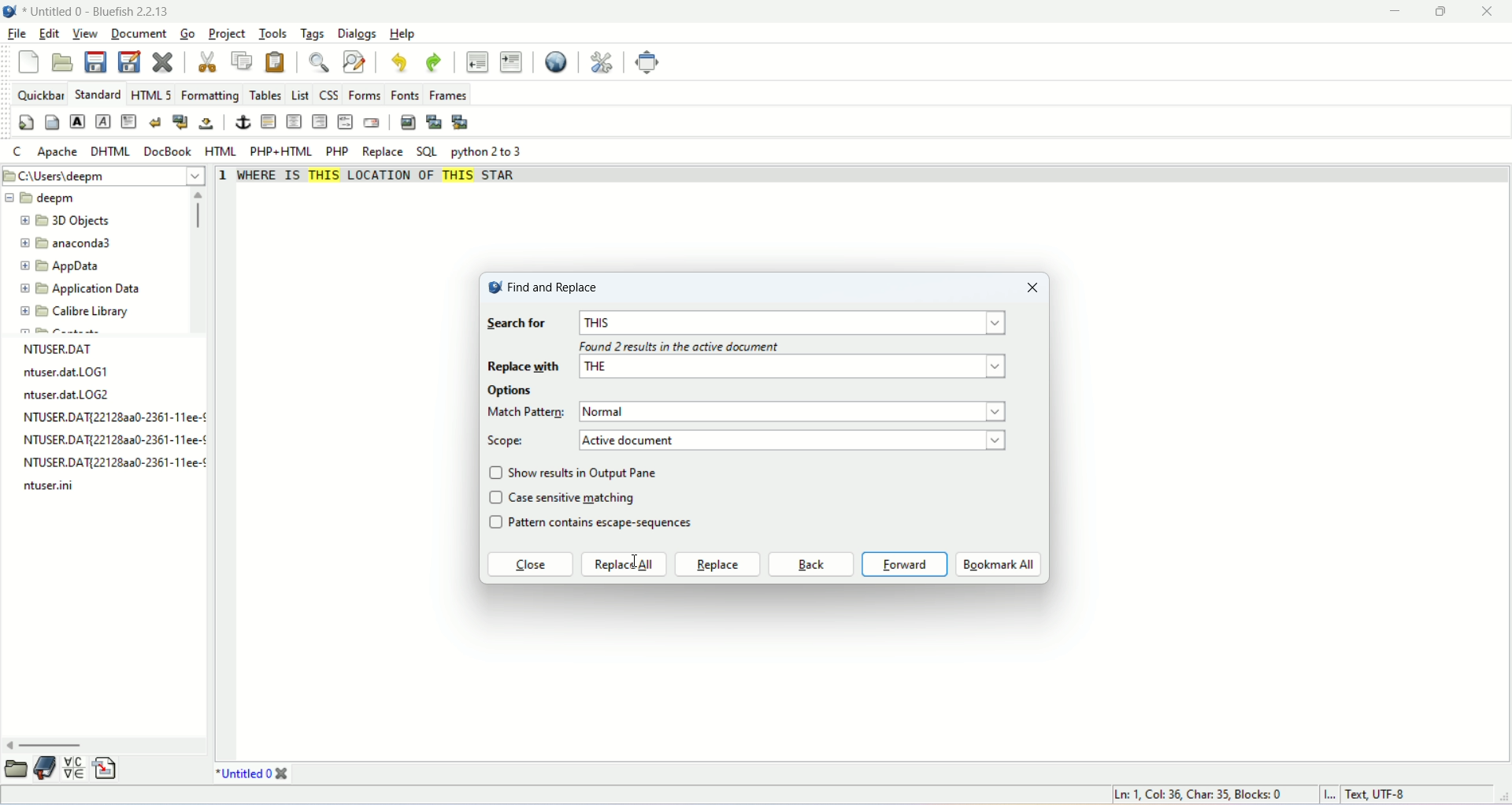  I want to click on fonts, so click(406, 95).